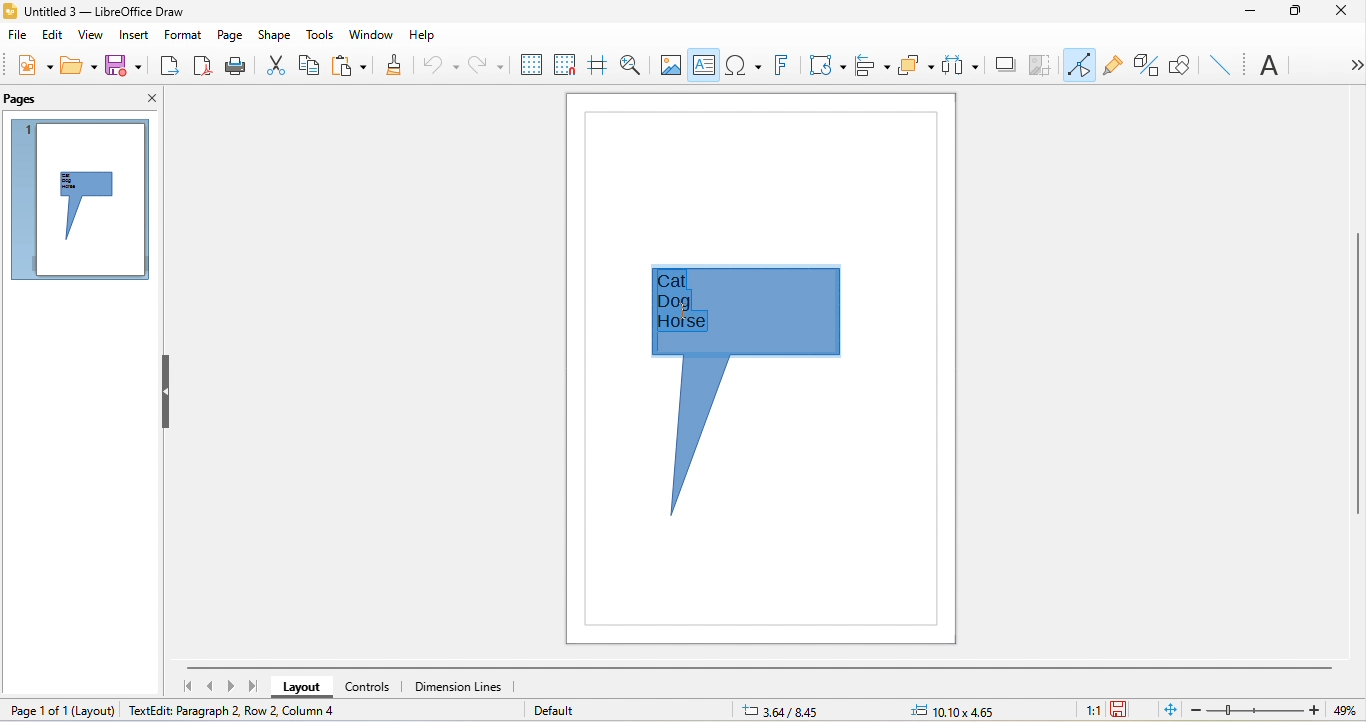 The image size is (1366, 722). What do you see at coordinates (230, 32) in the screenshot?
I see `page` at bounding box center [230, 32].